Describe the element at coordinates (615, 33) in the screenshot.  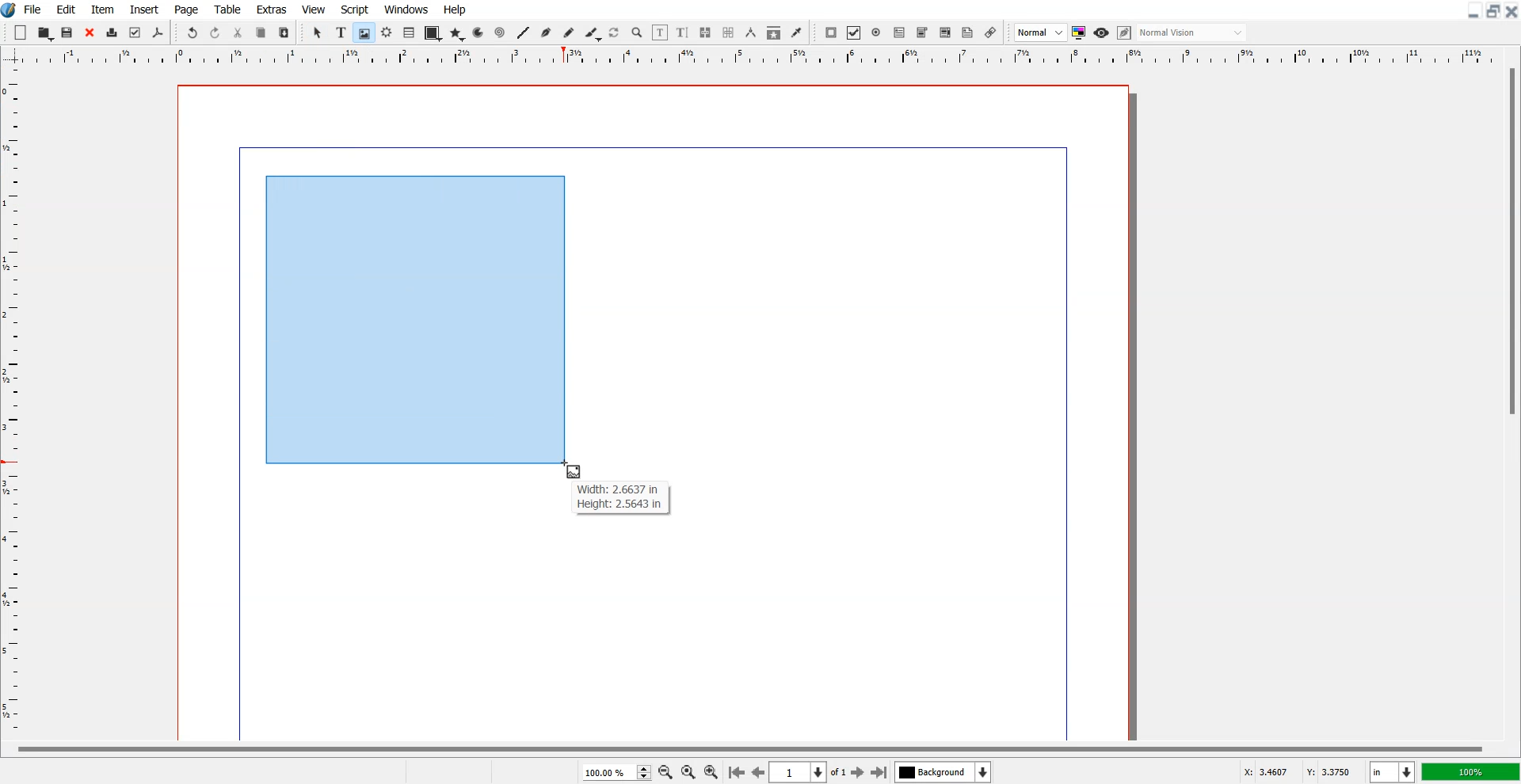
I see `Rotate Item` at that location.